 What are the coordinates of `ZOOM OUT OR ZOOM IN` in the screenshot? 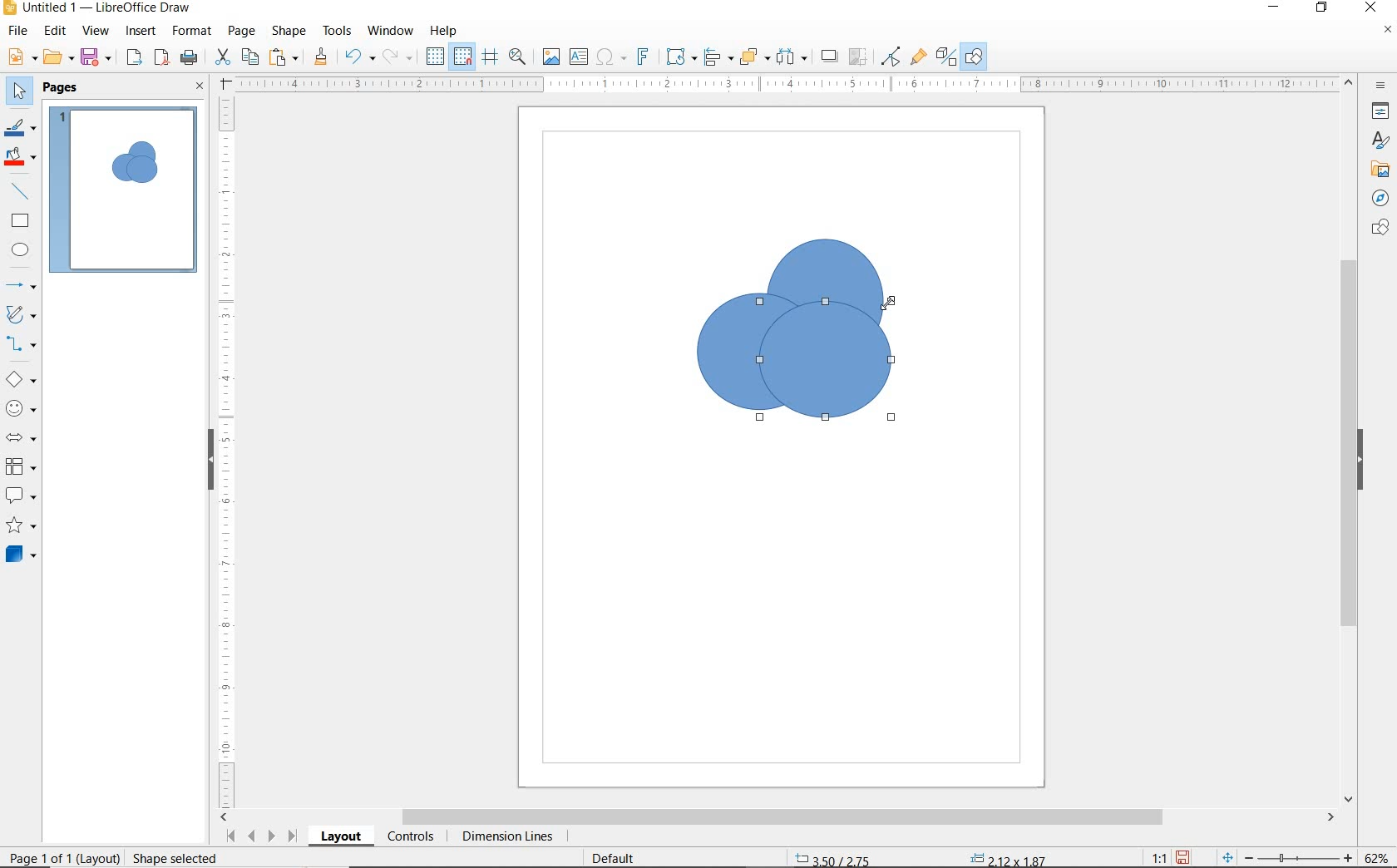 It's located at (1287, 858).